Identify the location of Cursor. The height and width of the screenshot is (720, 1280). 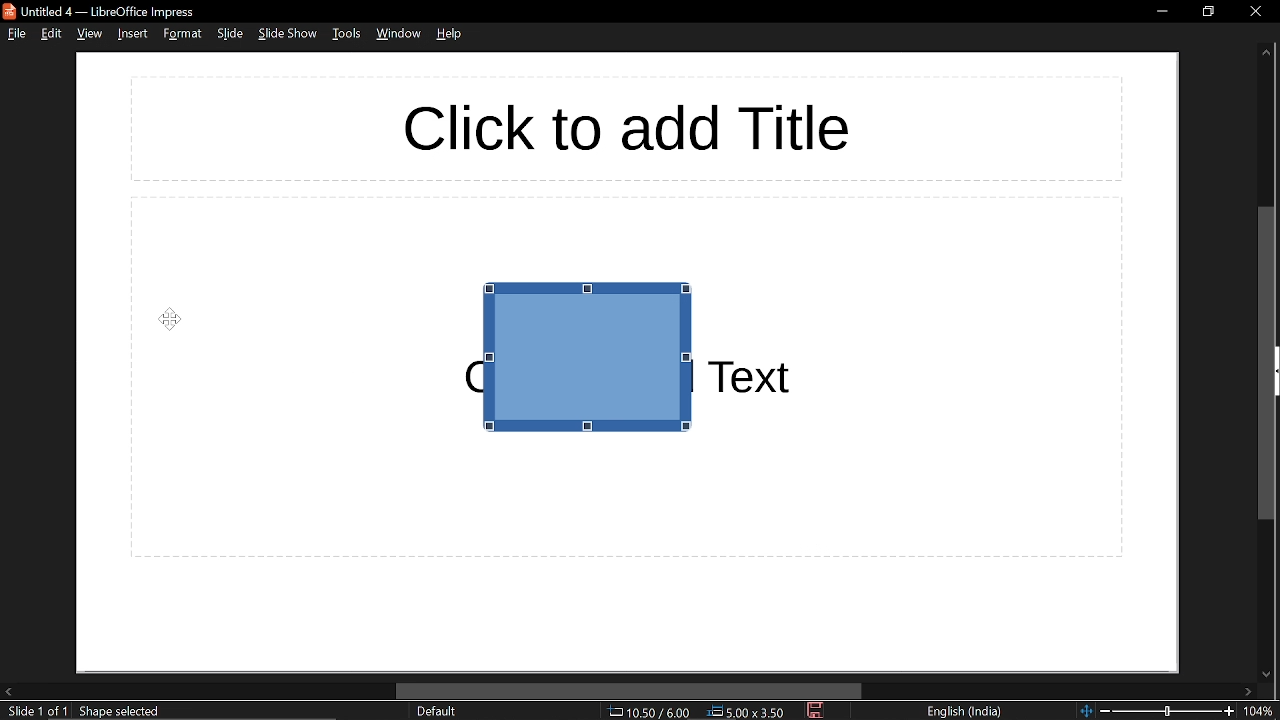
(171, 318).